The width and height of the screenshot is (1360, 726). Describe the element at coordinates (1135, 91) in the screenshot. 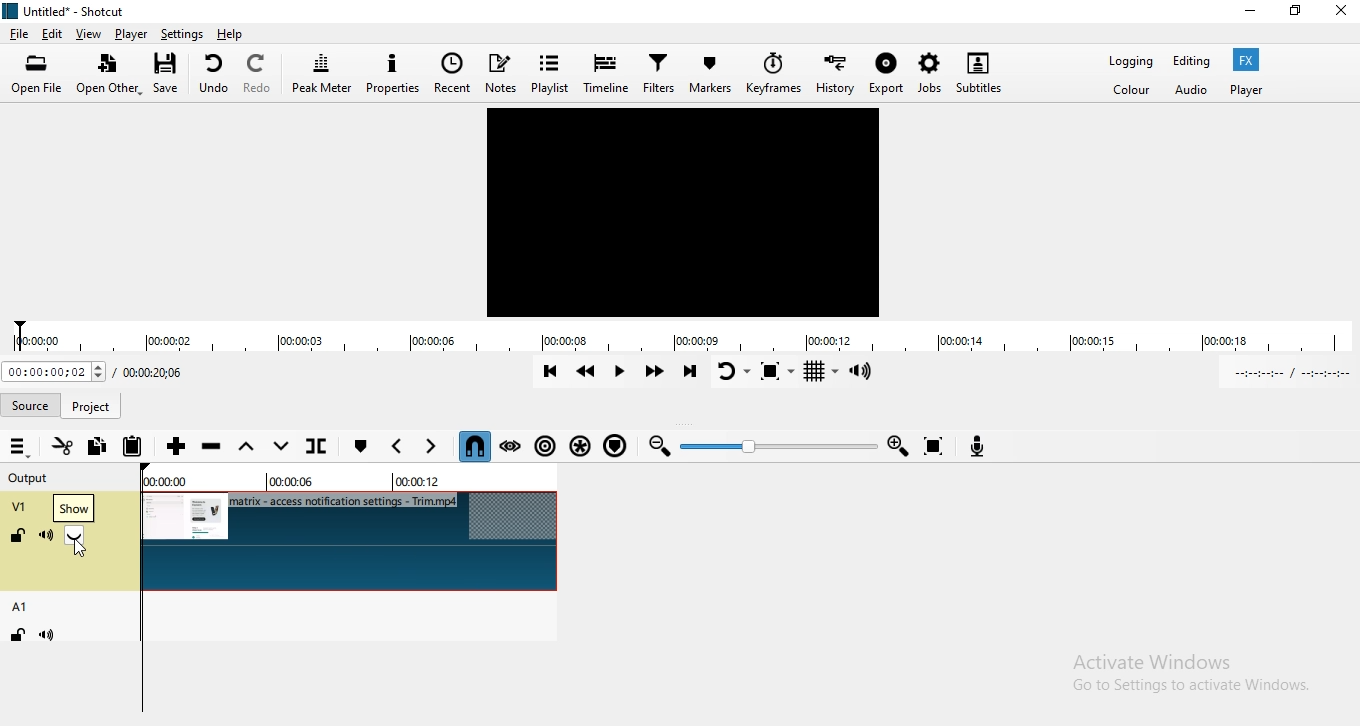

I see `Color` at that location.